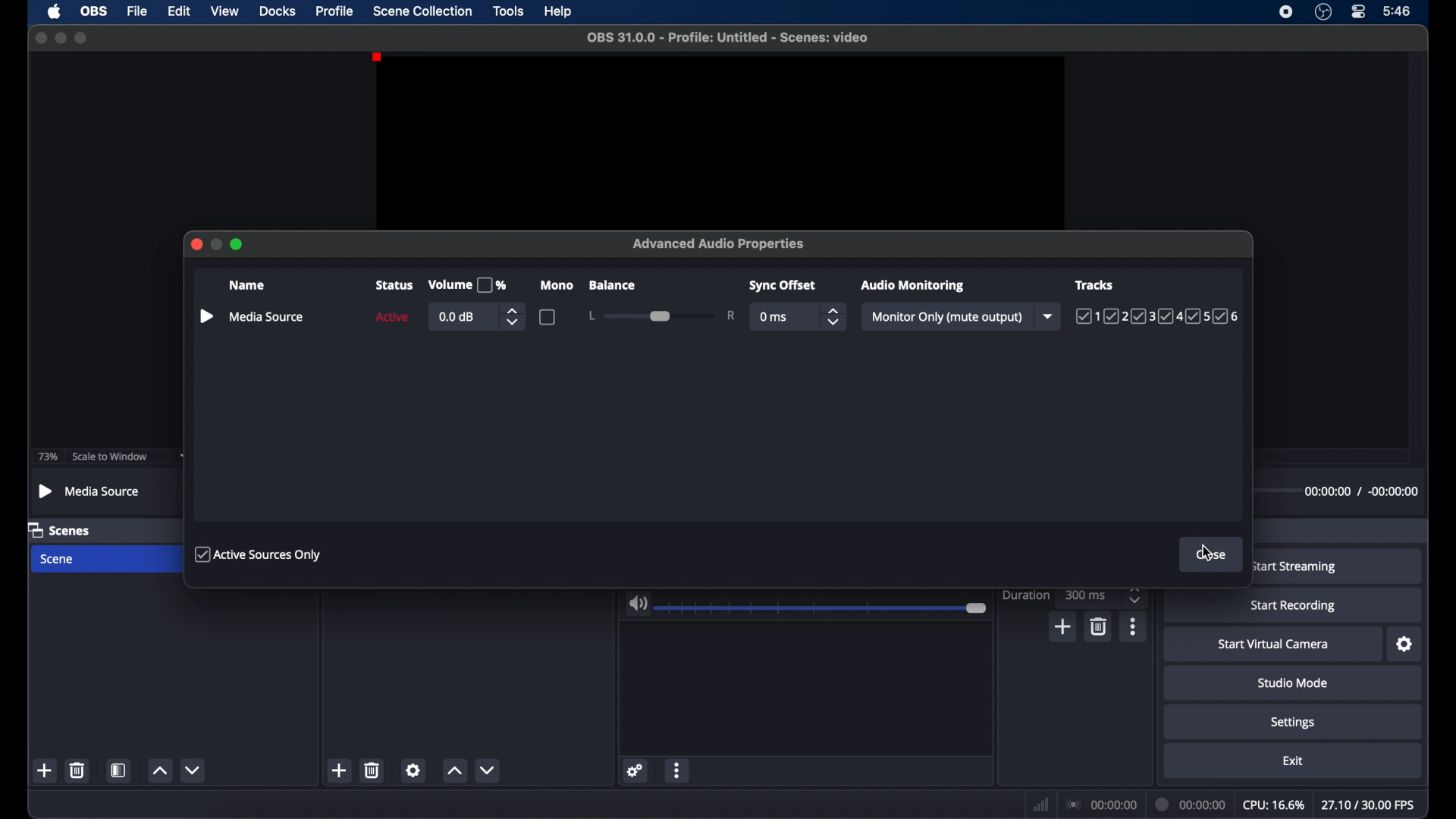 This screenshot has height=819, width=1456. What do you see at coordinates (1188, 804) in the screenshot?
I see `duration` at bounding box center [1188, 804].